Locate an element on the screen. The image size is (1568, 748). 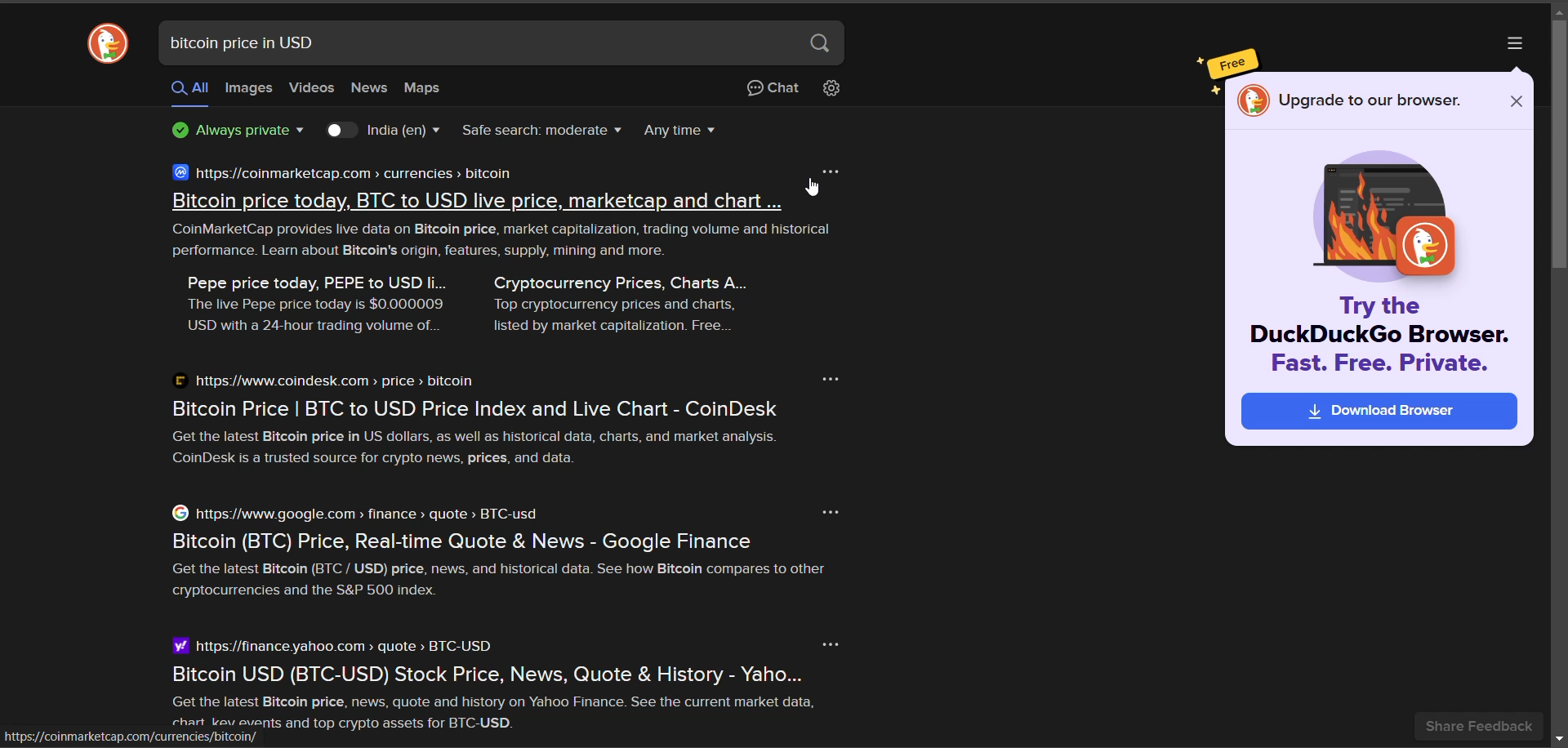
Try the
DuckDuckGo Browser.
Fast. Free. Private. is located at coordinates (1370, 335).